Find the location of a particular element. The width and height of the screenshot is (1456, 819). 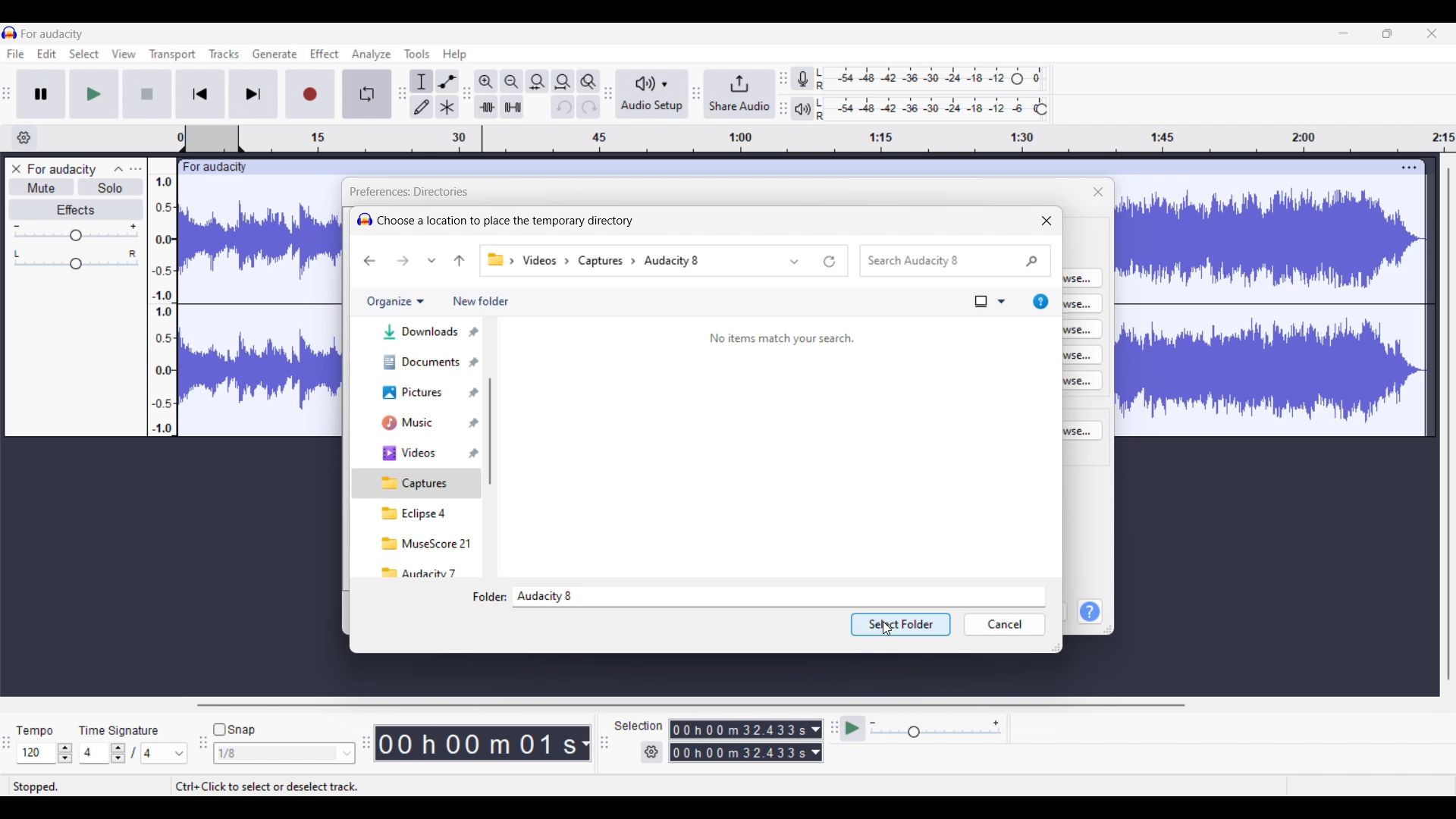

Header to change playback level is located at coordinates (1042, 109).